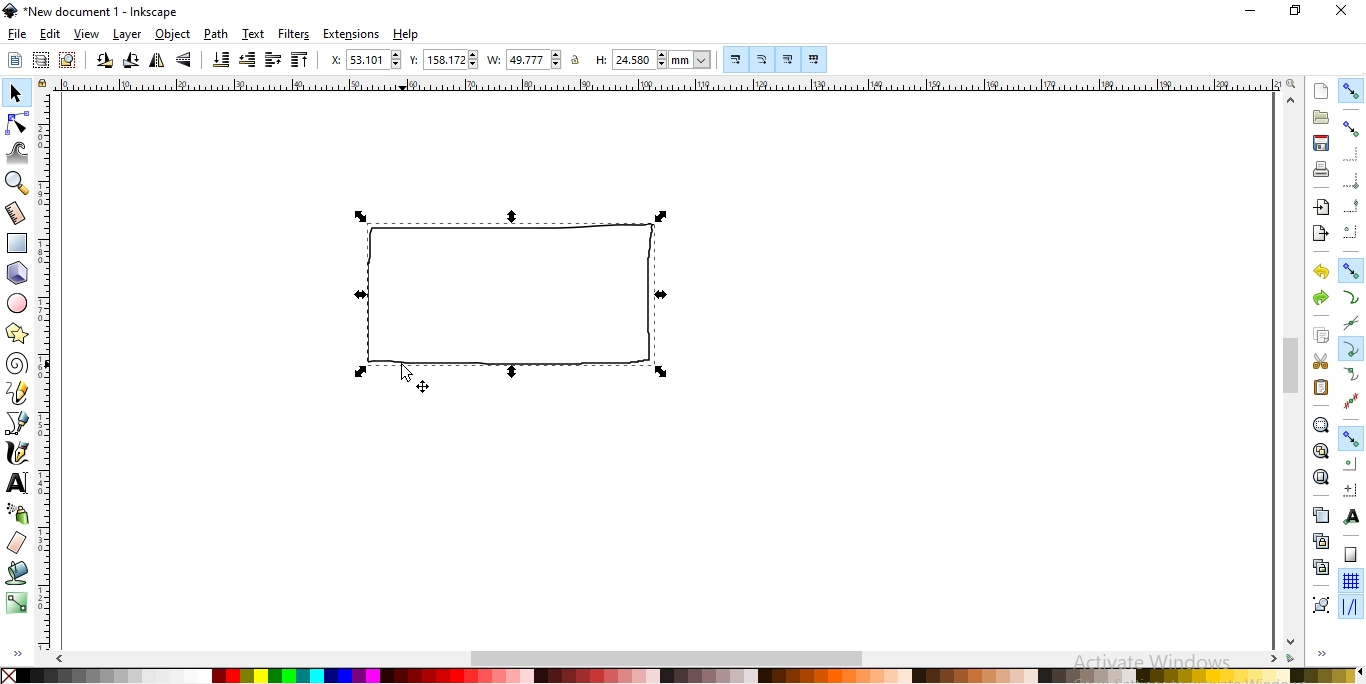  What do you see at coordinates (1291, 367) in the screenshot?
I see `scrollbar` at bounding box center [1291, 367].